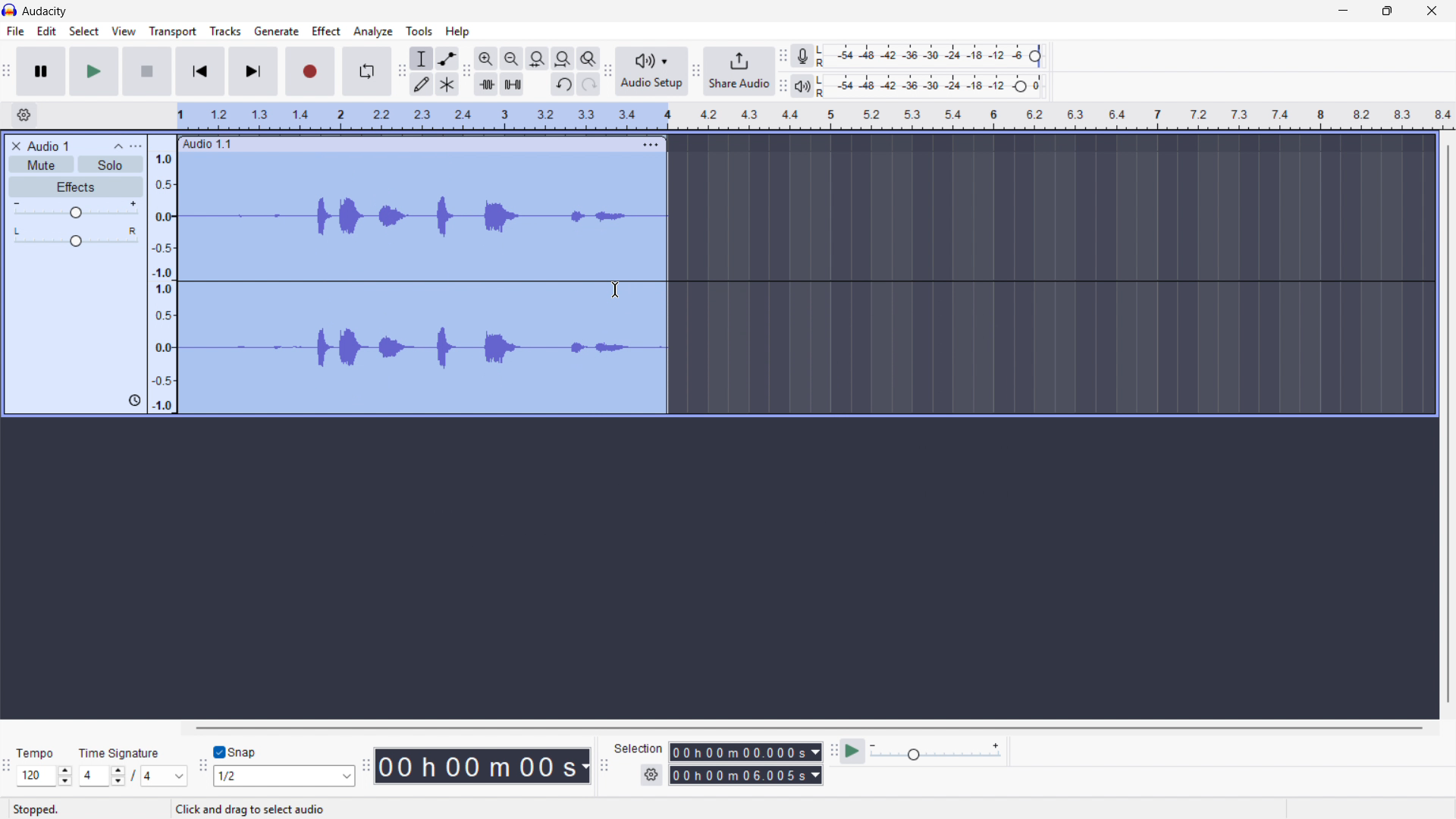 Image resolution: width=1456 pixels, height=819 pixels. I want to click on Multi tool, so click(447, 85).